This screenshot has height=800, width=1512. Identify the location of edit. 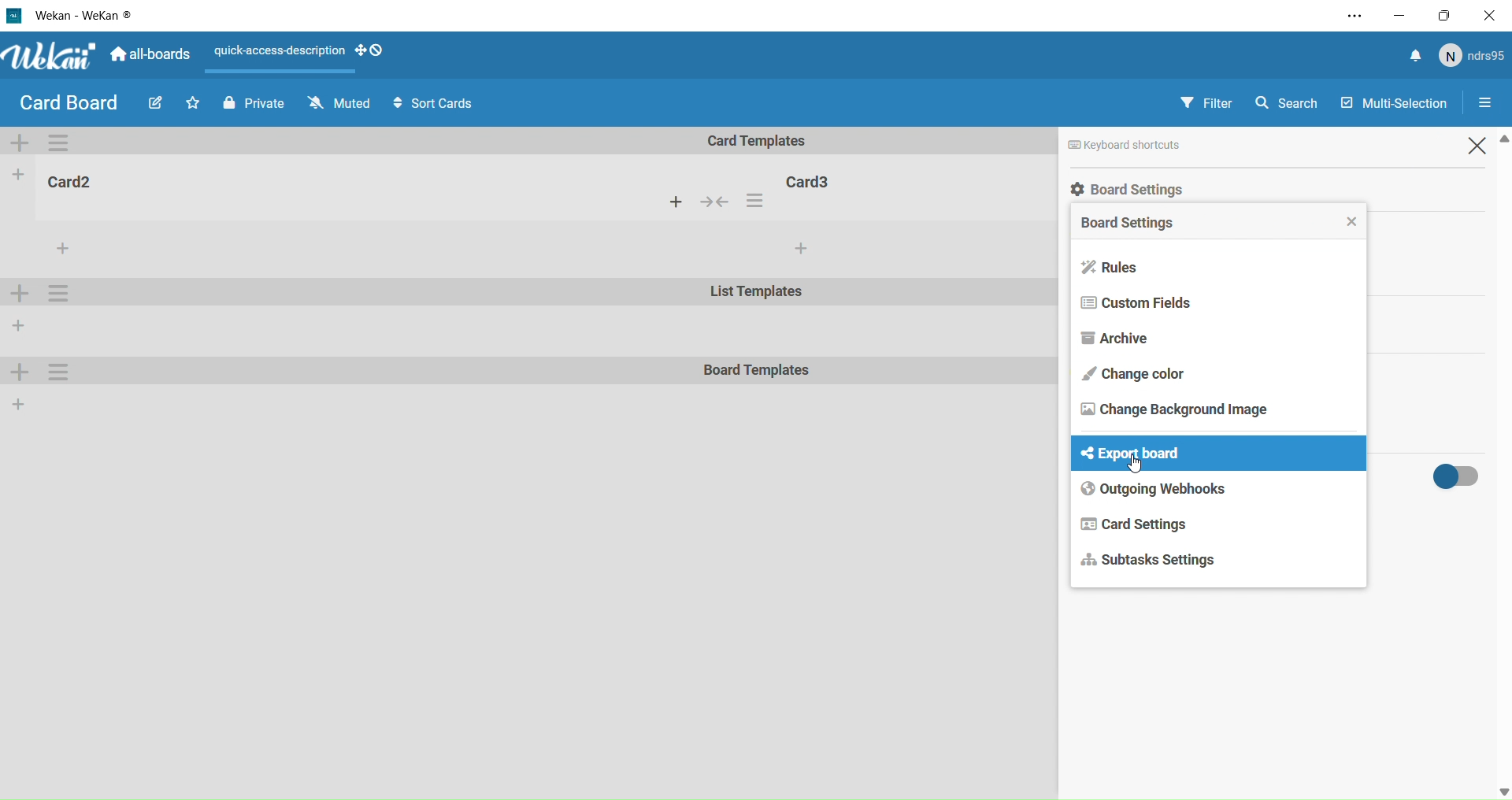
(153, 106).